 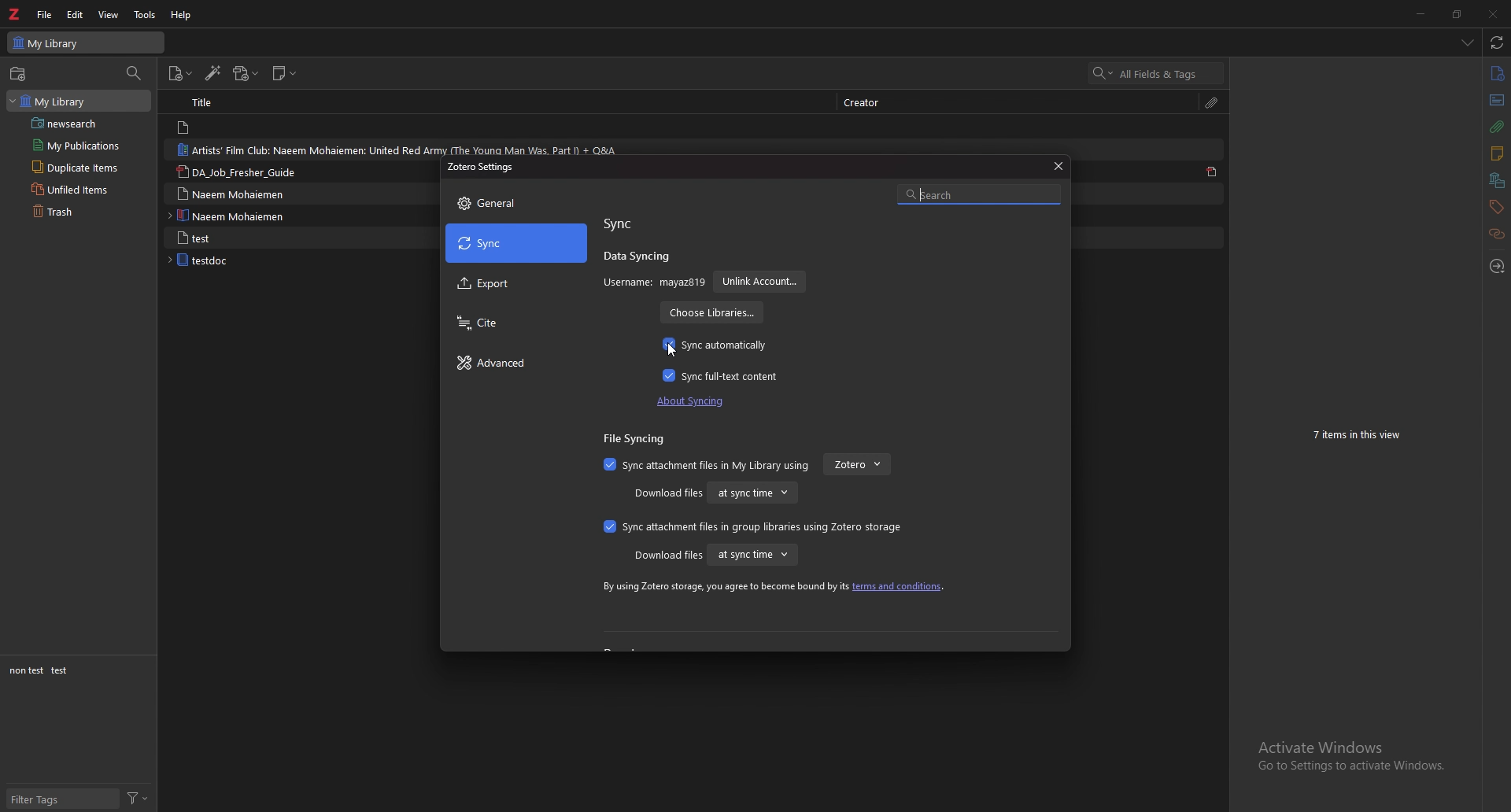 What do you see at coordinates (238, 238) in the screenshot?
I see `test` at bounding box center [238, 238].